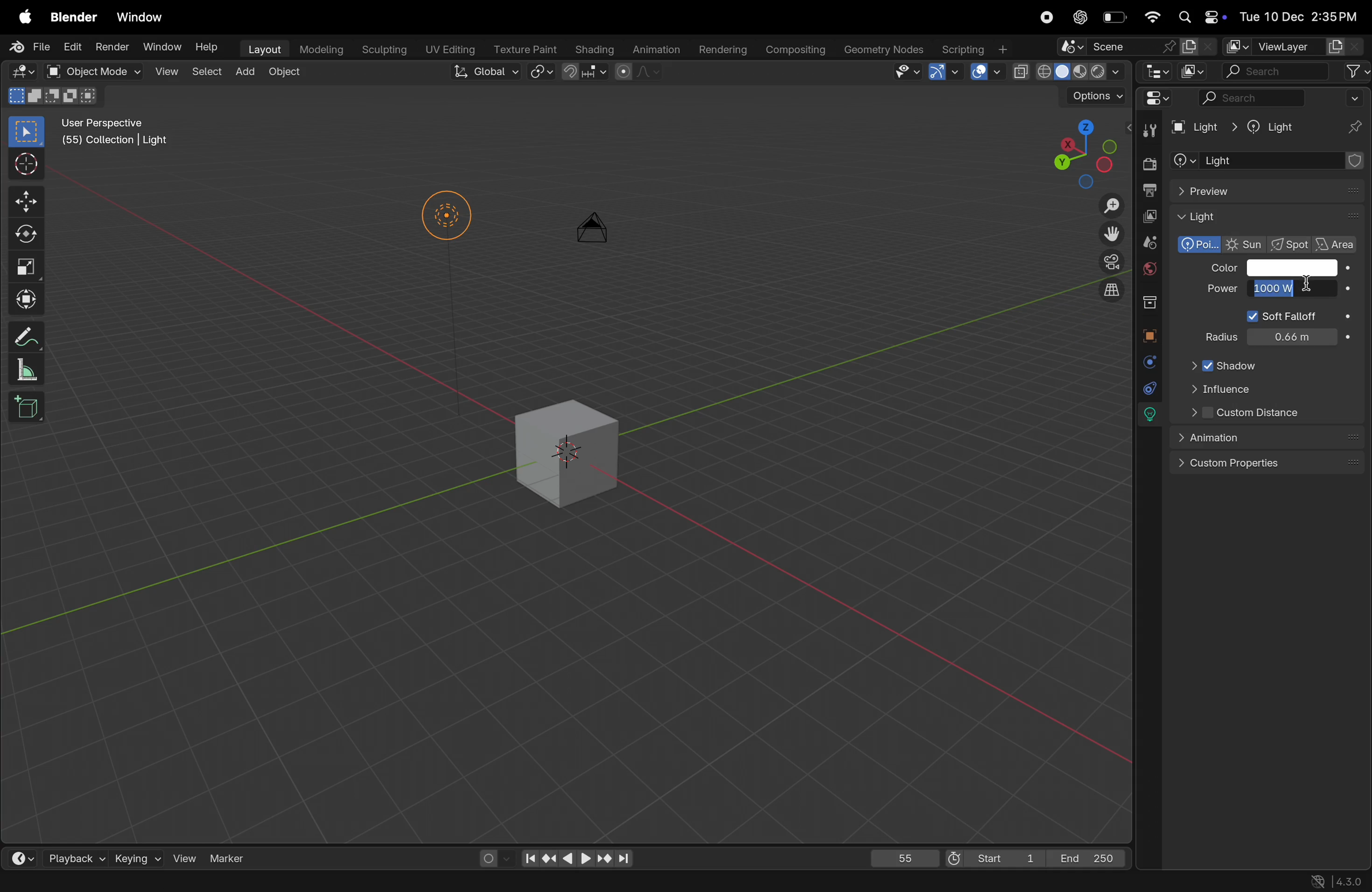 Image resolution: width=1372 pixels, height=892 pixels. Describe the element at coordinates (1277, 71) in the screenshot. I see `search` at that location.